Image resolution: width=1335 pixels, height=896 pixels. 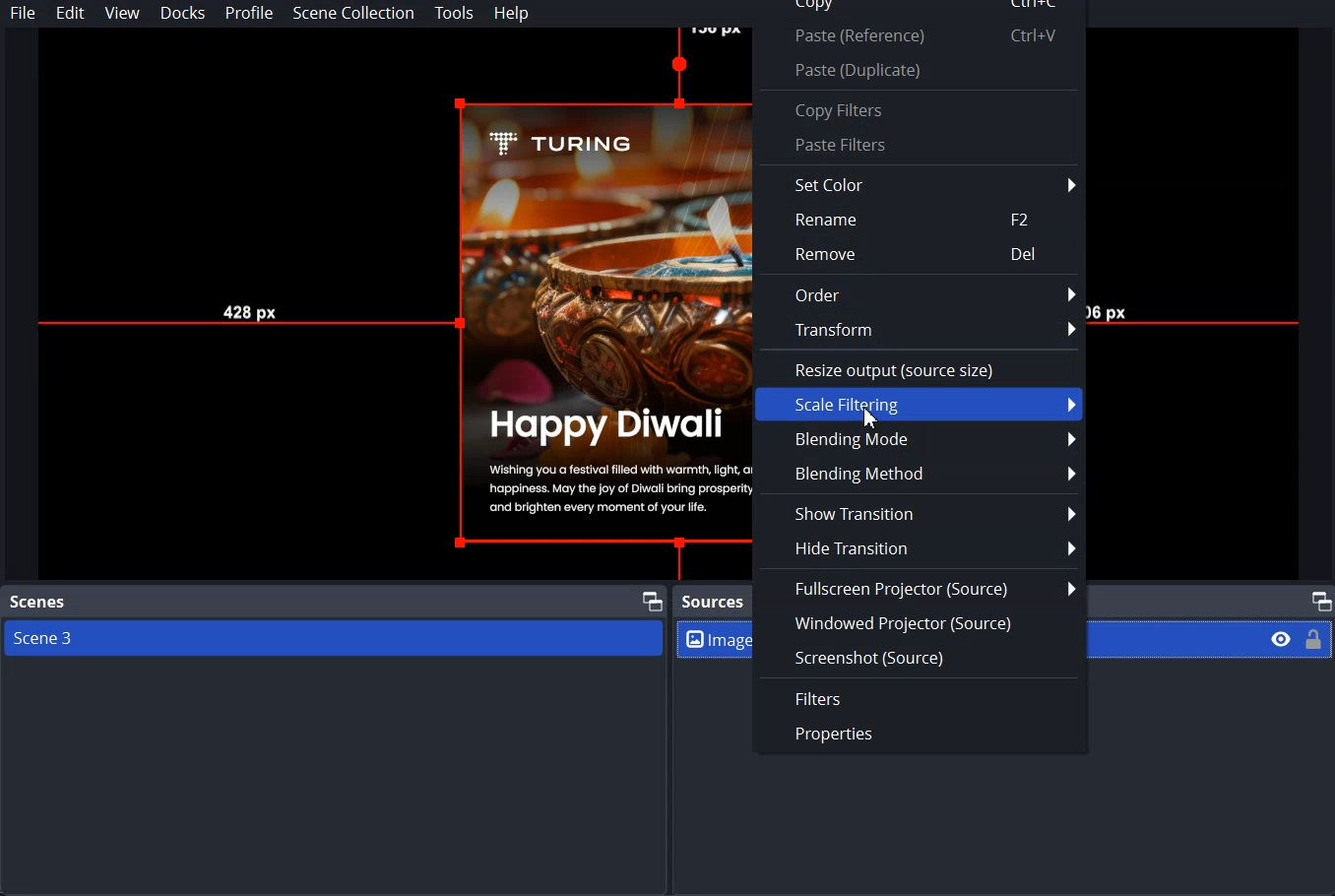 What do you see at coordinates (920, 293) in the screenshot?
I see `Order` at bounding box center [920, 293].